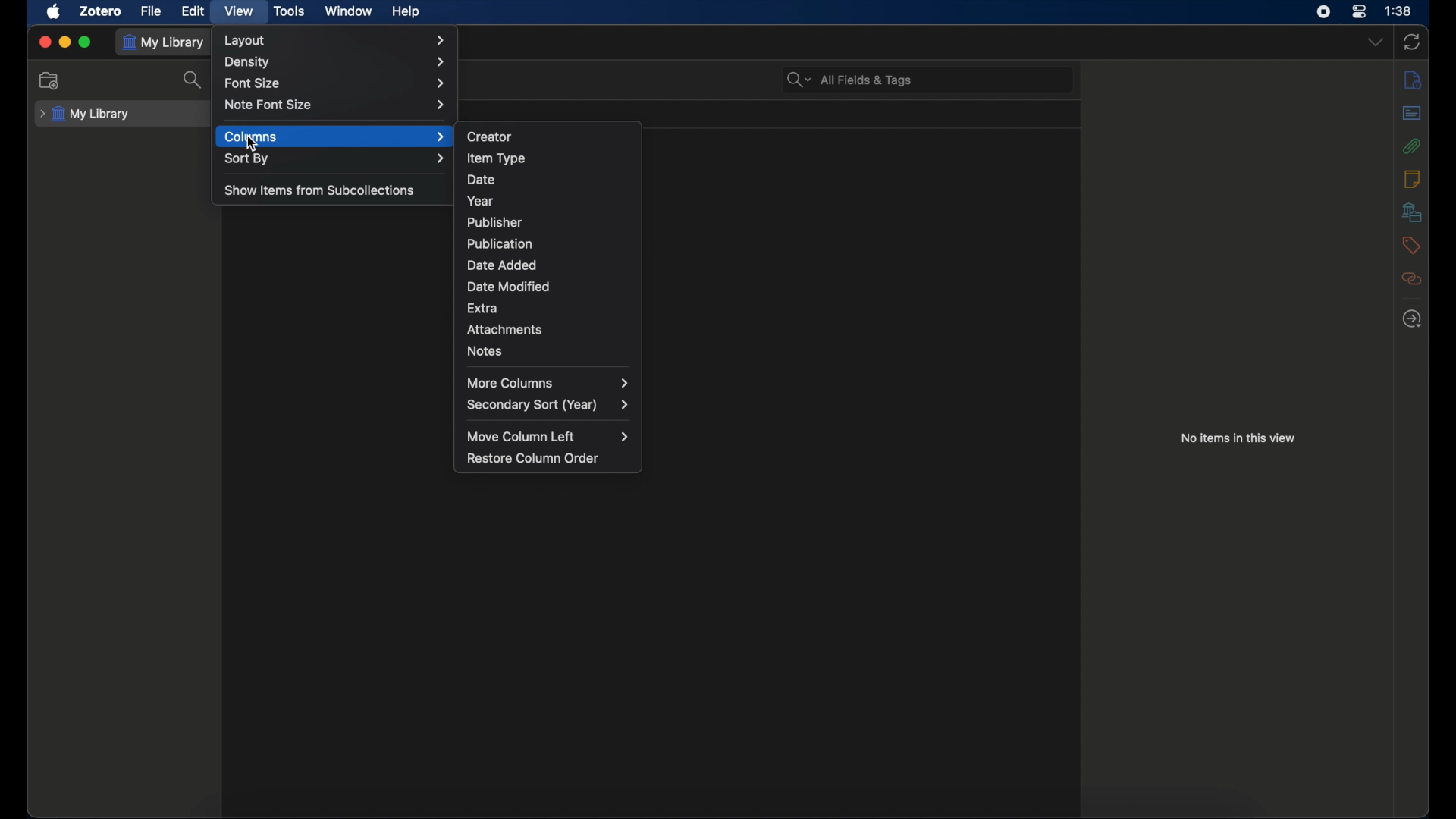  What do you see at coordinates (1414, 80) in the screenshot?
I see `info` at bounding box center [1414, 80].